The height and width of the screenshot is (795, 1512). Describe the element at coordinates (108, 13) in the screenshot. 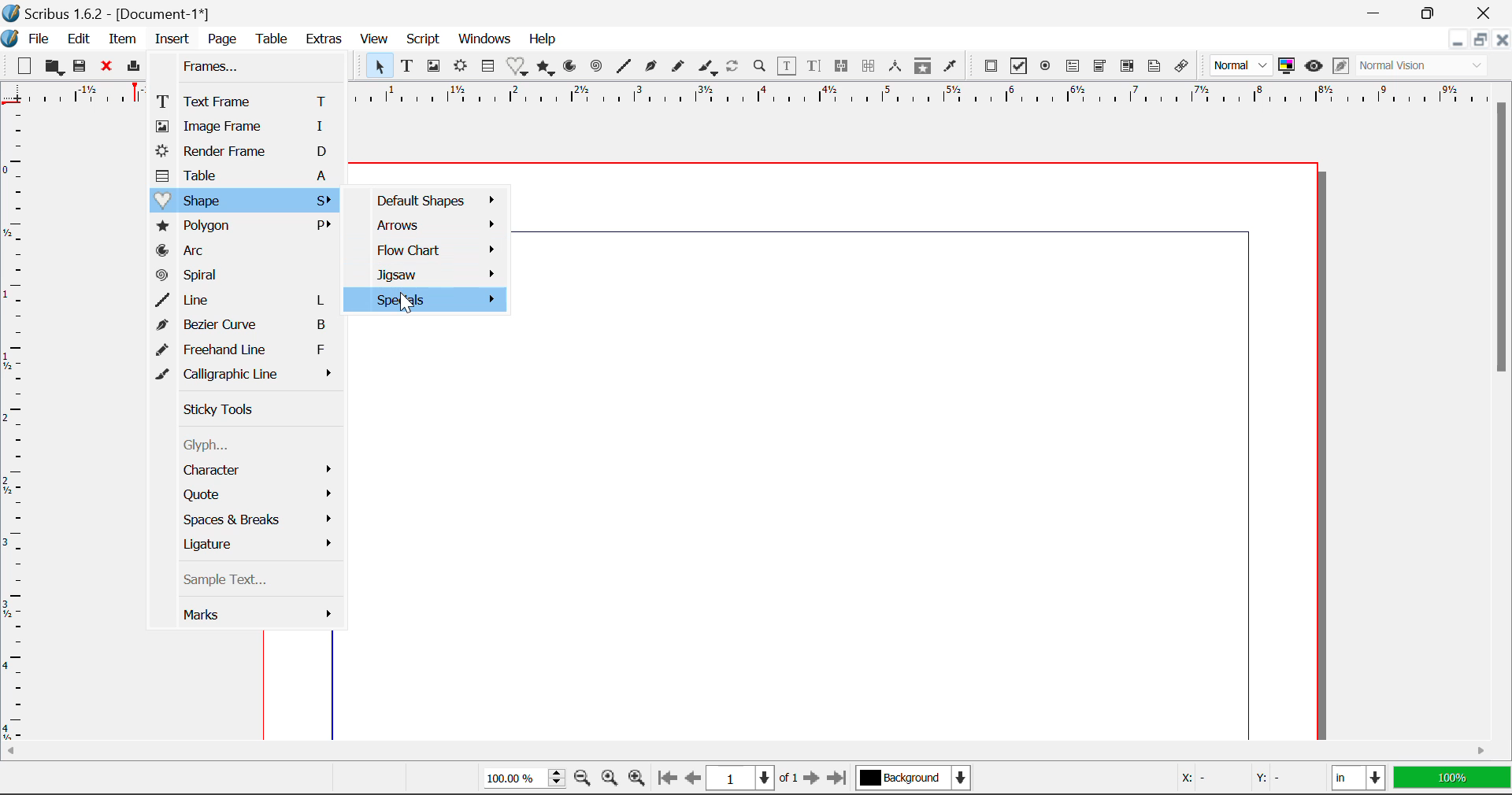

I see `Scribus 1.6.2 - [Document-1*]` at that location.